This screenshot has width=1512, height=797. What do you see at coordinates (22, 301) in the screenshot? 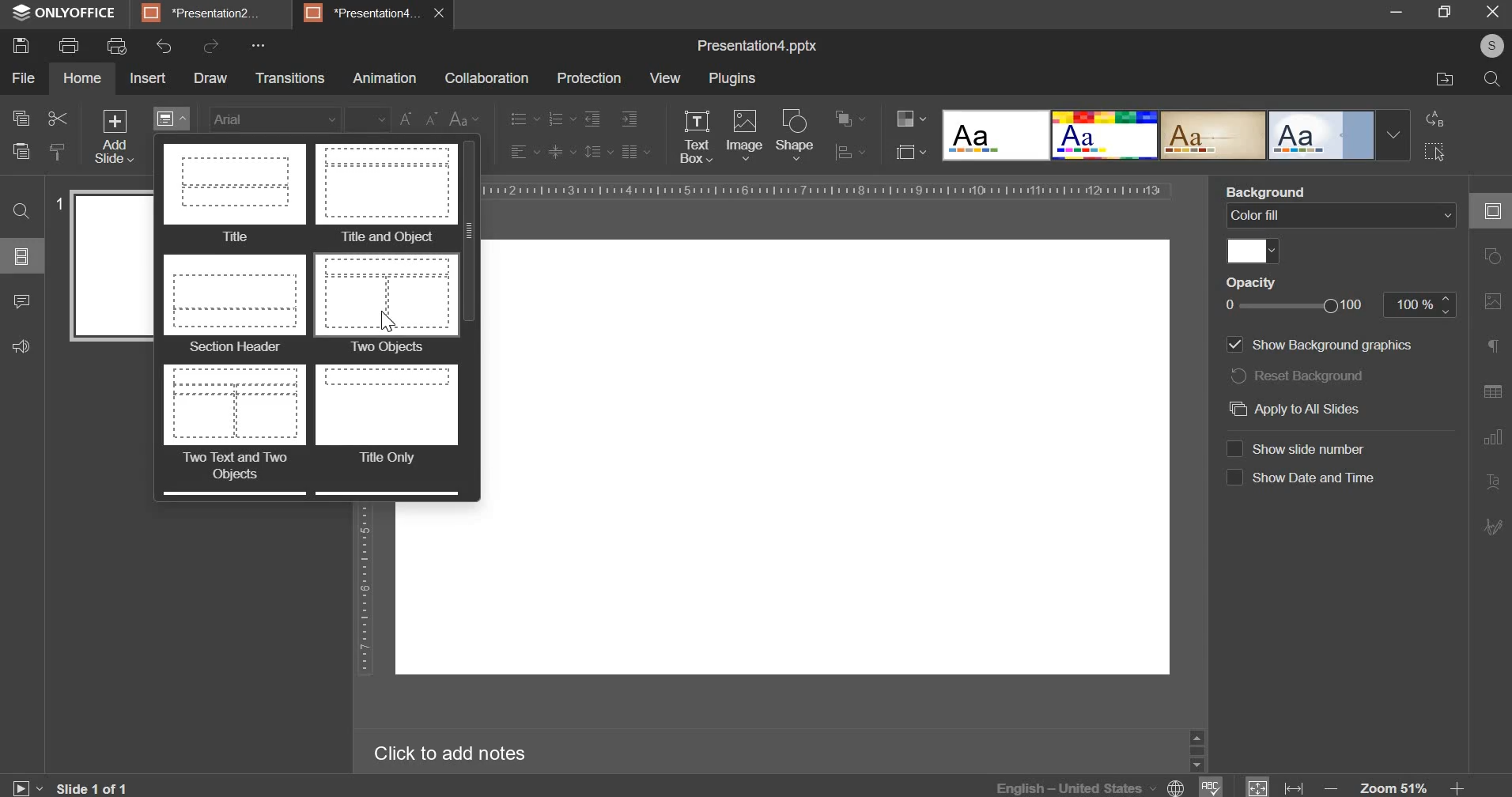
I see `comments` at bounding box center [22, 301].